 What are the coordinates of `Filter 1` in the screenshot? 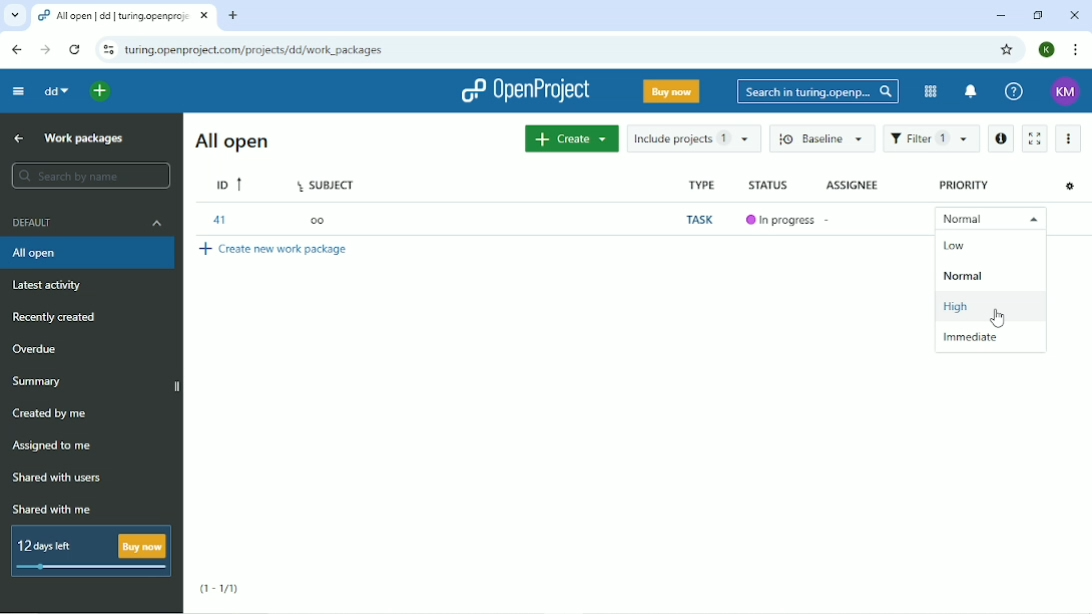 It's located at (939, 141).